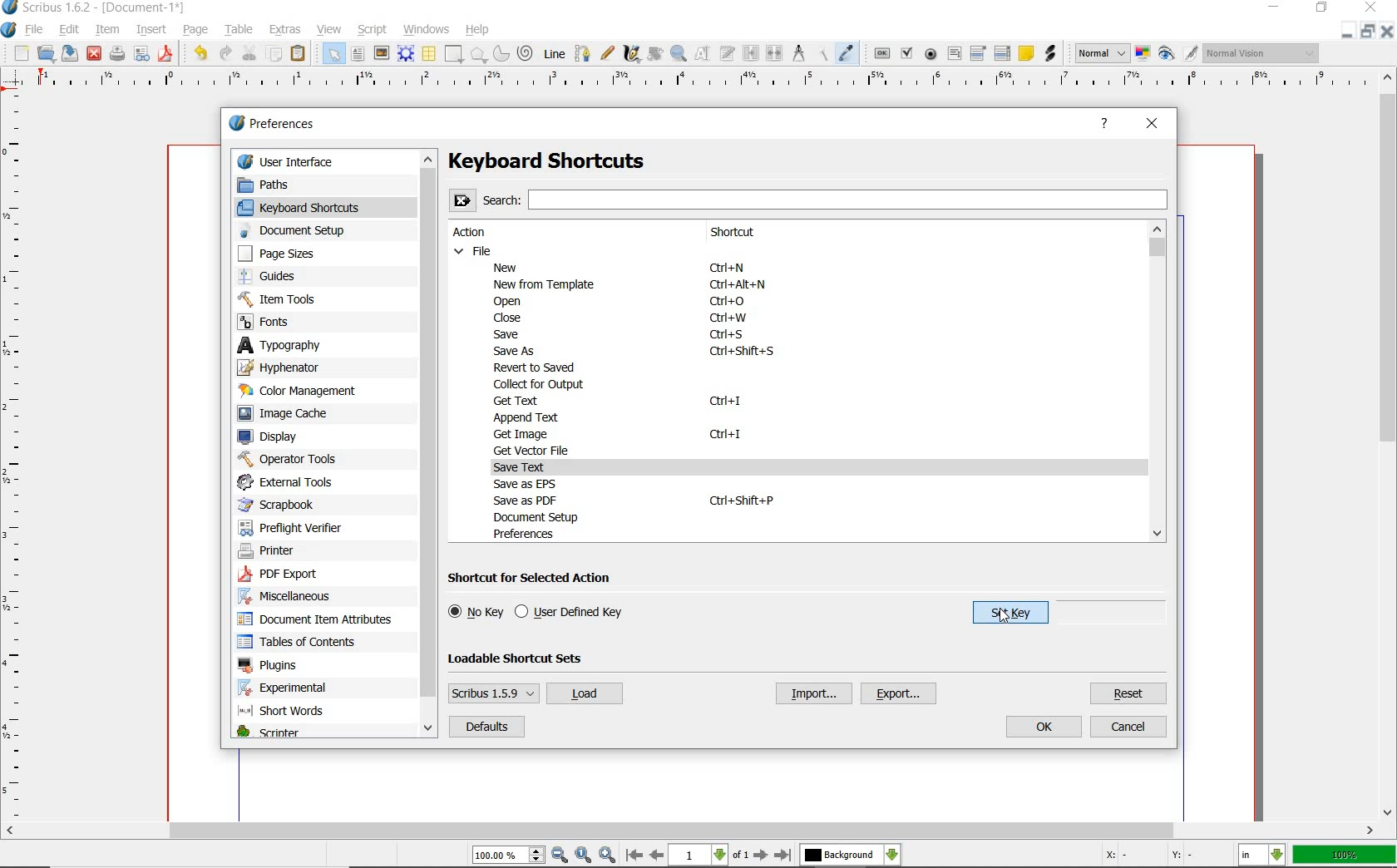 This screenshot has width=1397, height=868. What do you see at coordinates (1261, 856) in the screenshot?
I see `select the current unit` at bounding box center [1261, 856].